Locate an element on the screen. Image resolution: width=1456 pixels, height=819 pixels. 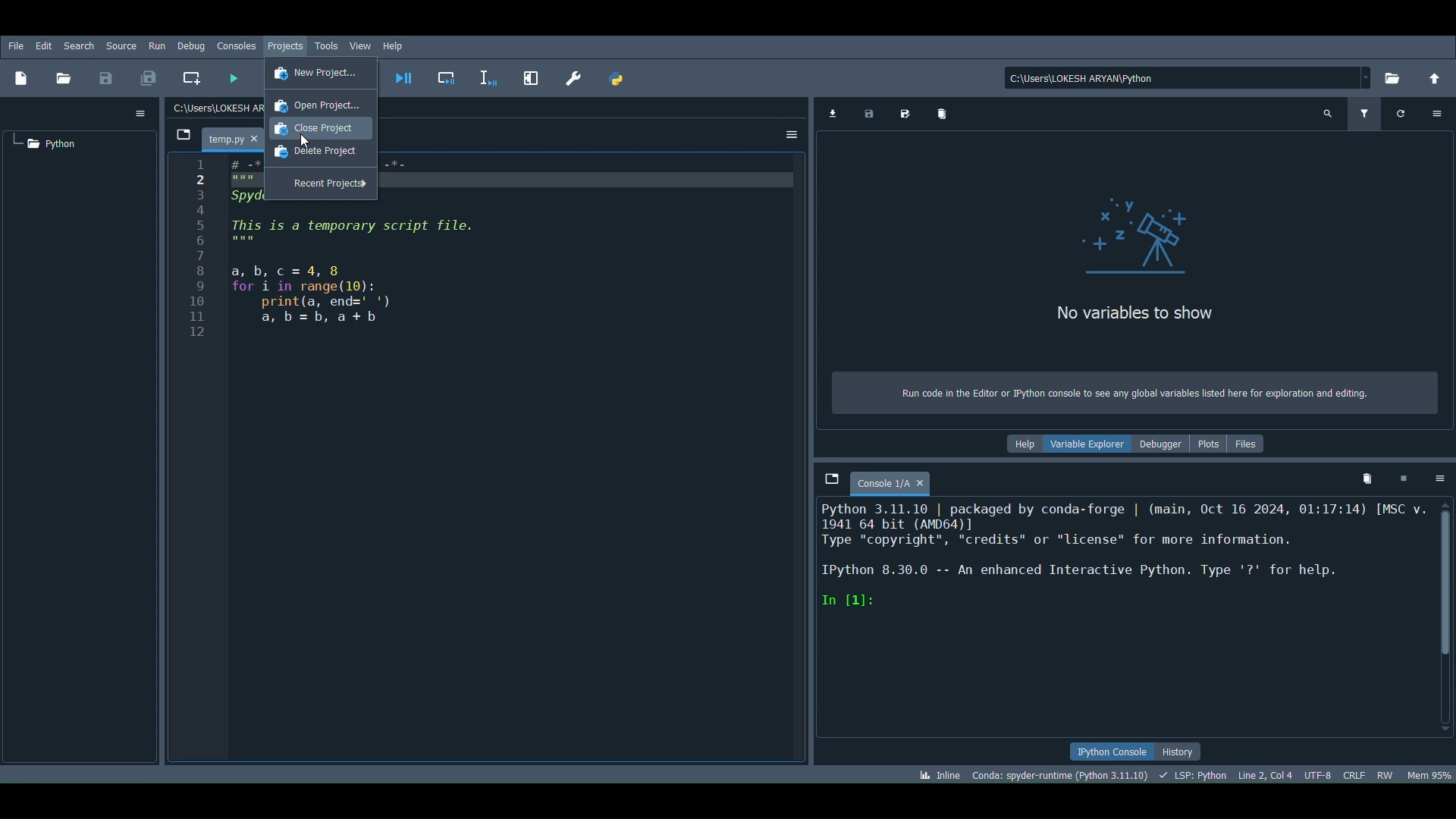
New file (Ctrl + N) is located at coordinates (24, 76).